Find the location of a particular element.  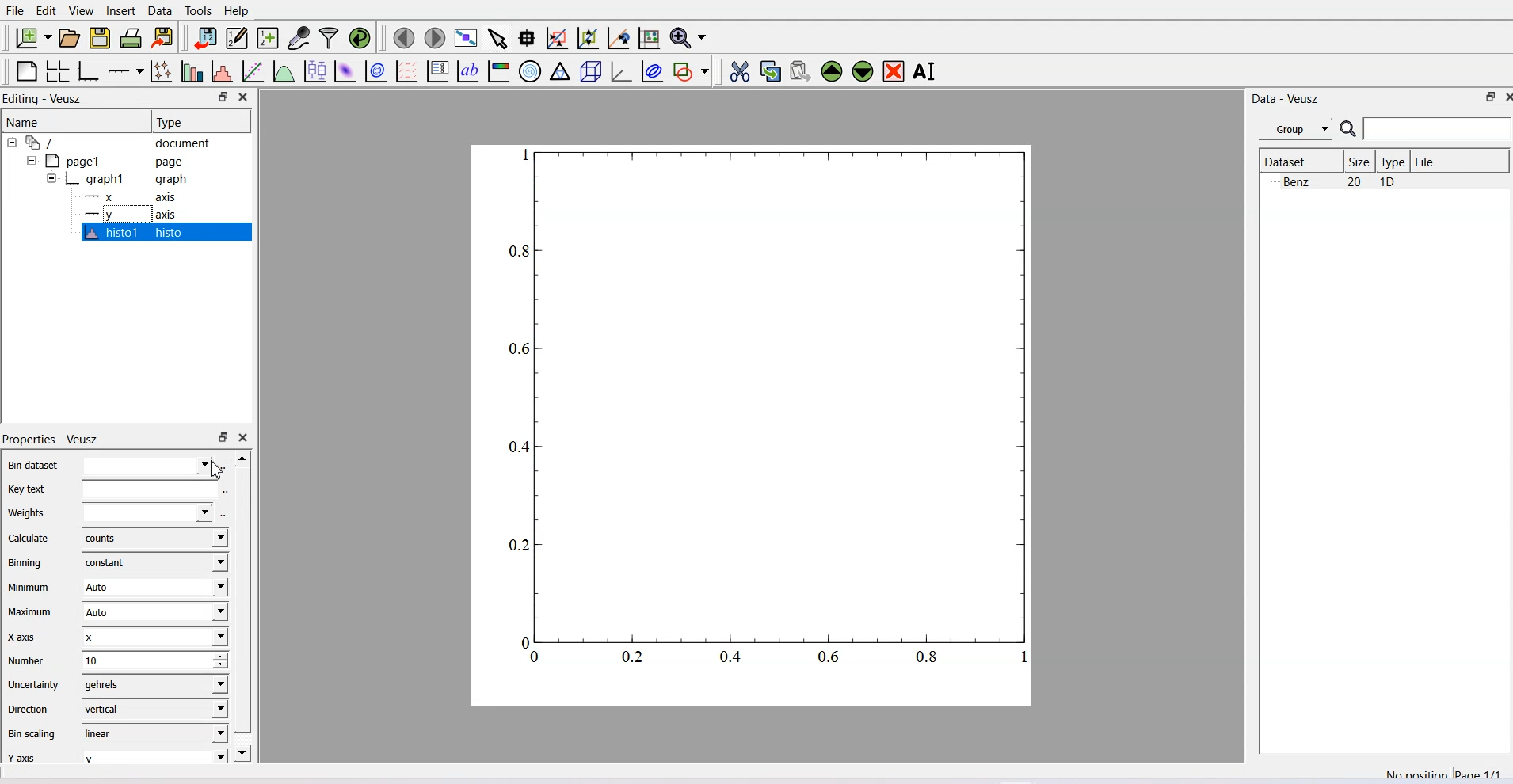

Arrange graph in grid is located at coordinates (57, 71).